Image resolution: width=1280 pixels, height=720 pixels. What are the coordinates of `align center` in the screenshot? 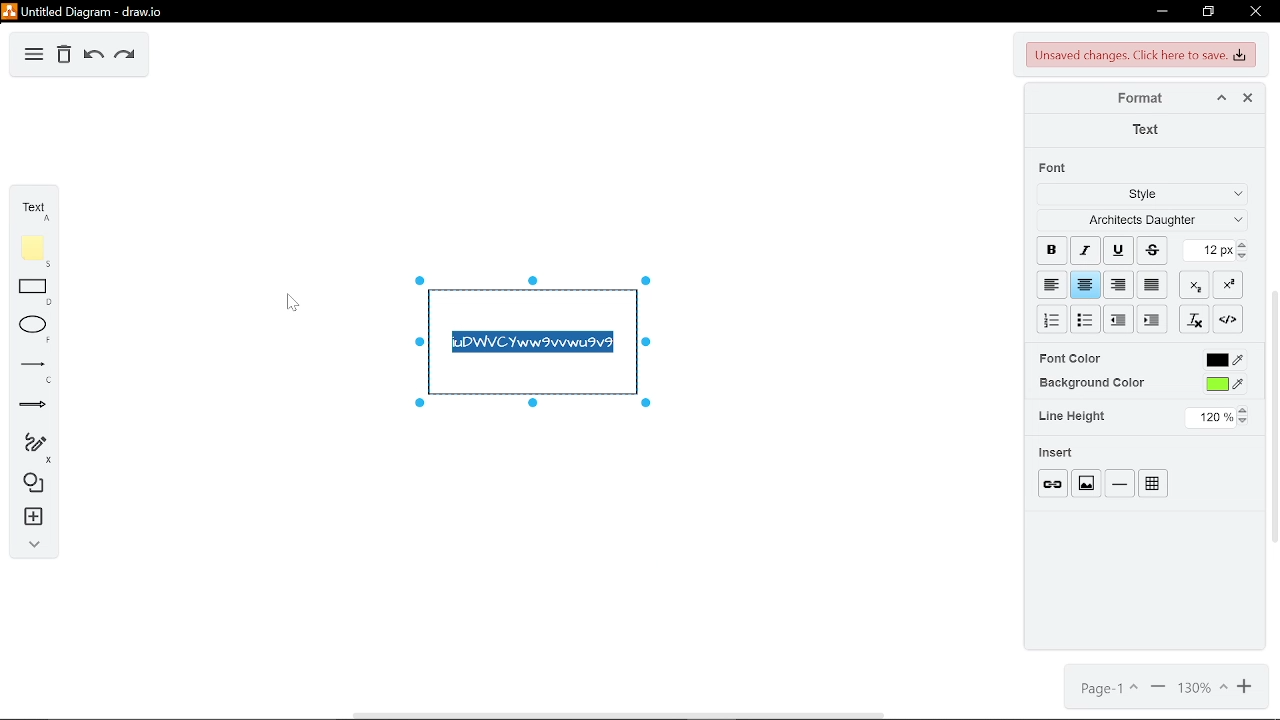 It's located at (1086, 284).